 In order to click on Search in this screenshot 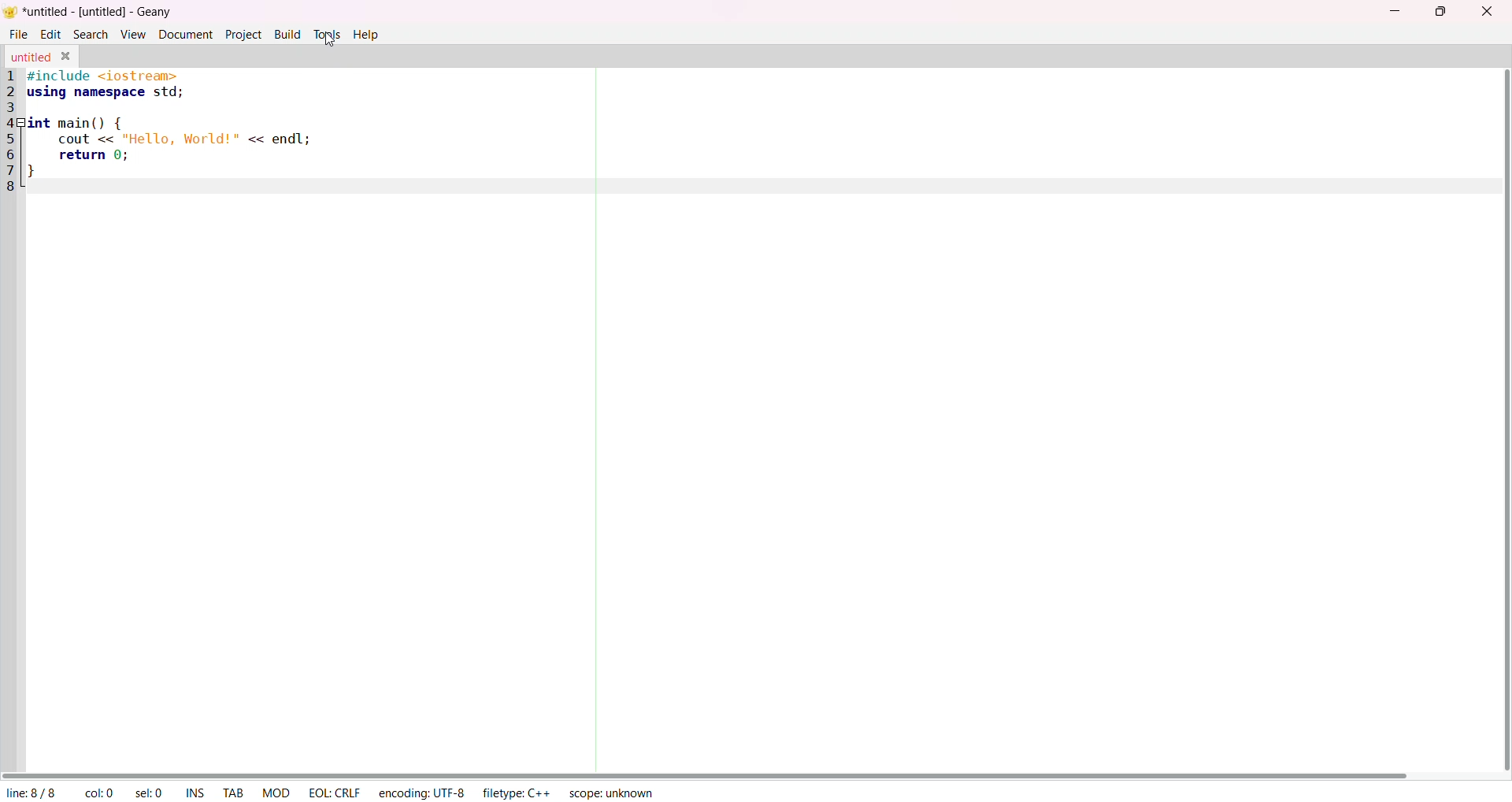, I will do `click(92, 35)`.